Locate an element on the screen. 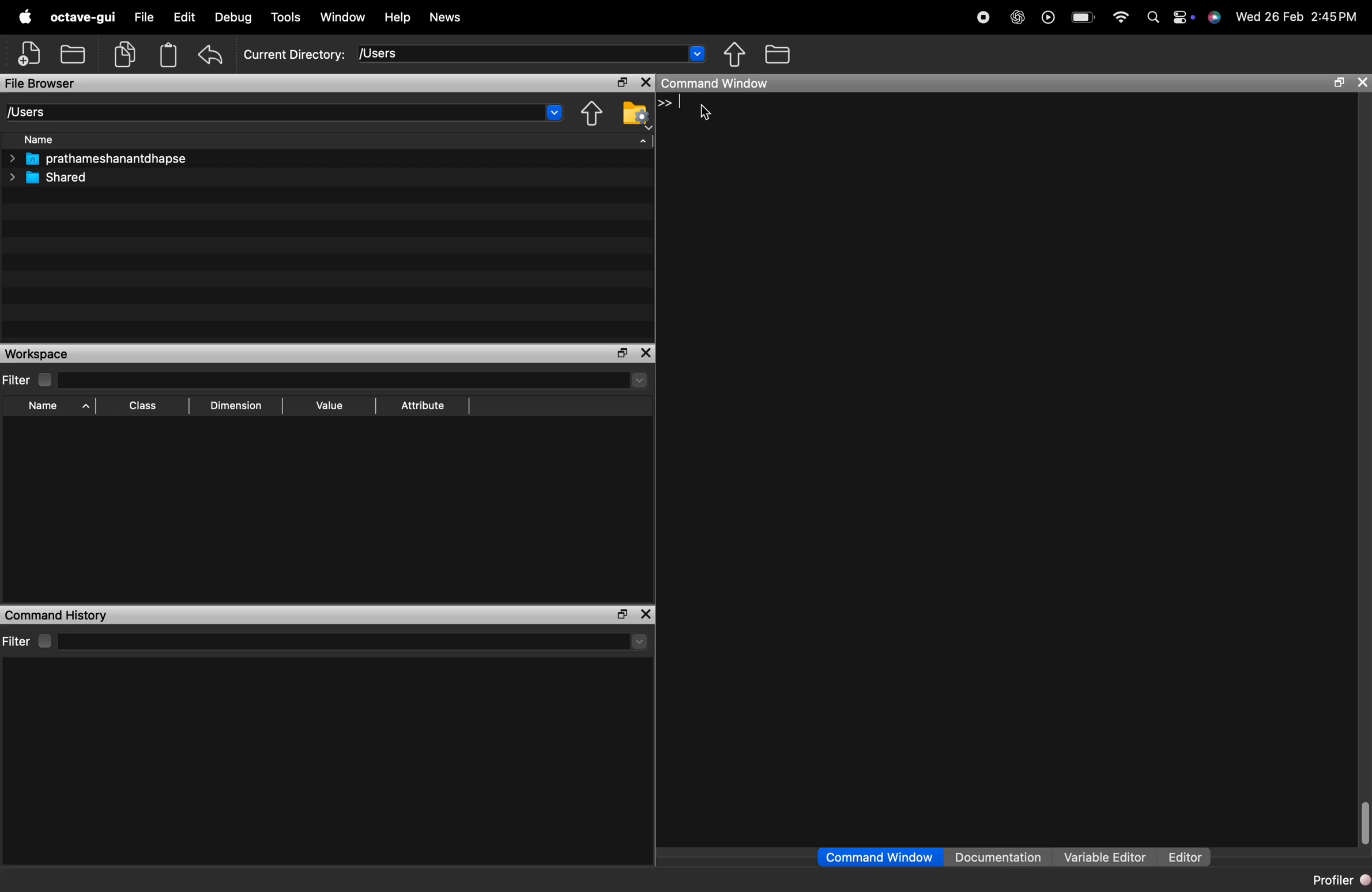 Image resolution: width=1372 pixels, height=892 pixels. logo is located at coordinates (25, 17).